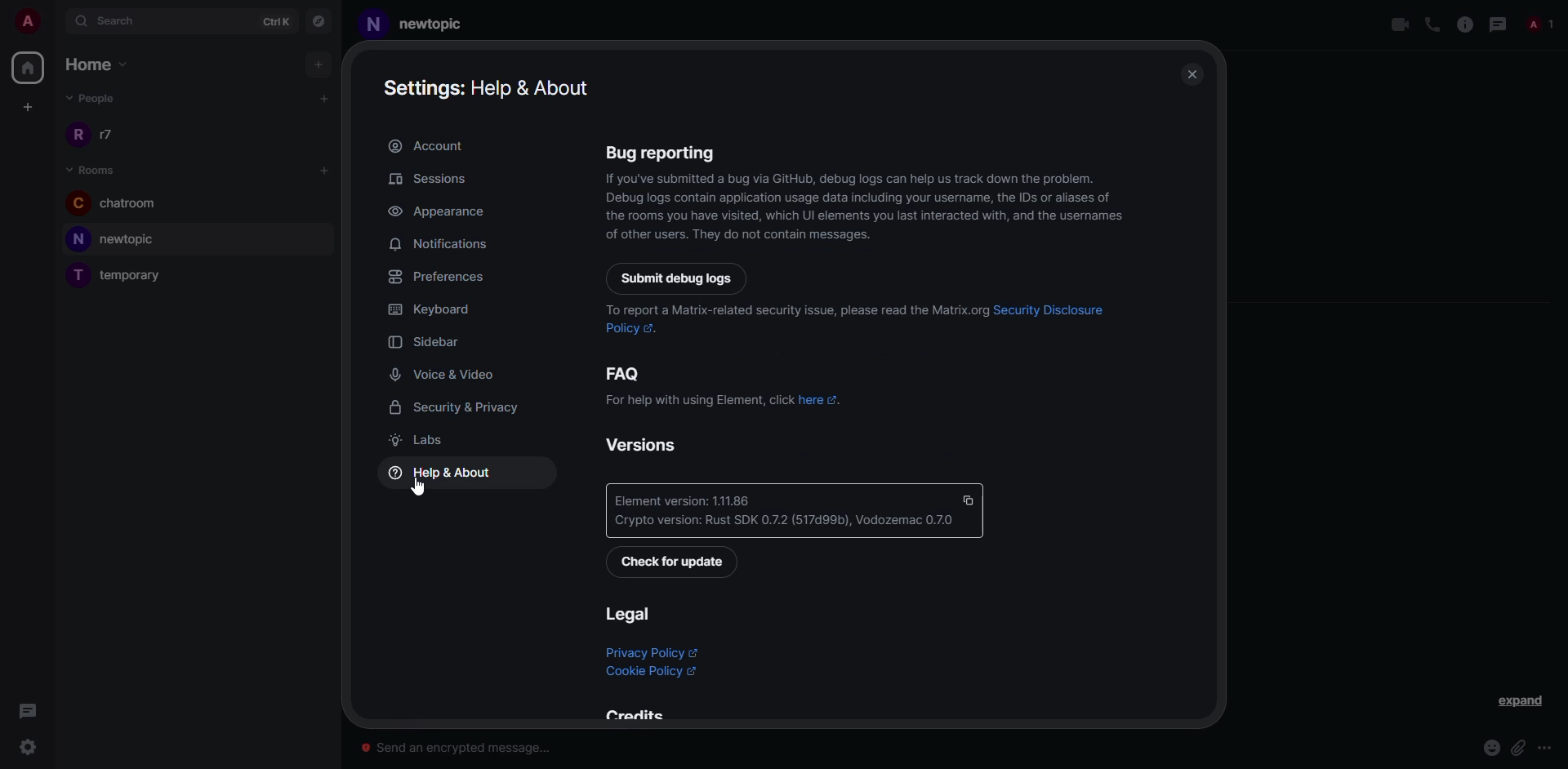  I want to click on people, so click(1539, 24).